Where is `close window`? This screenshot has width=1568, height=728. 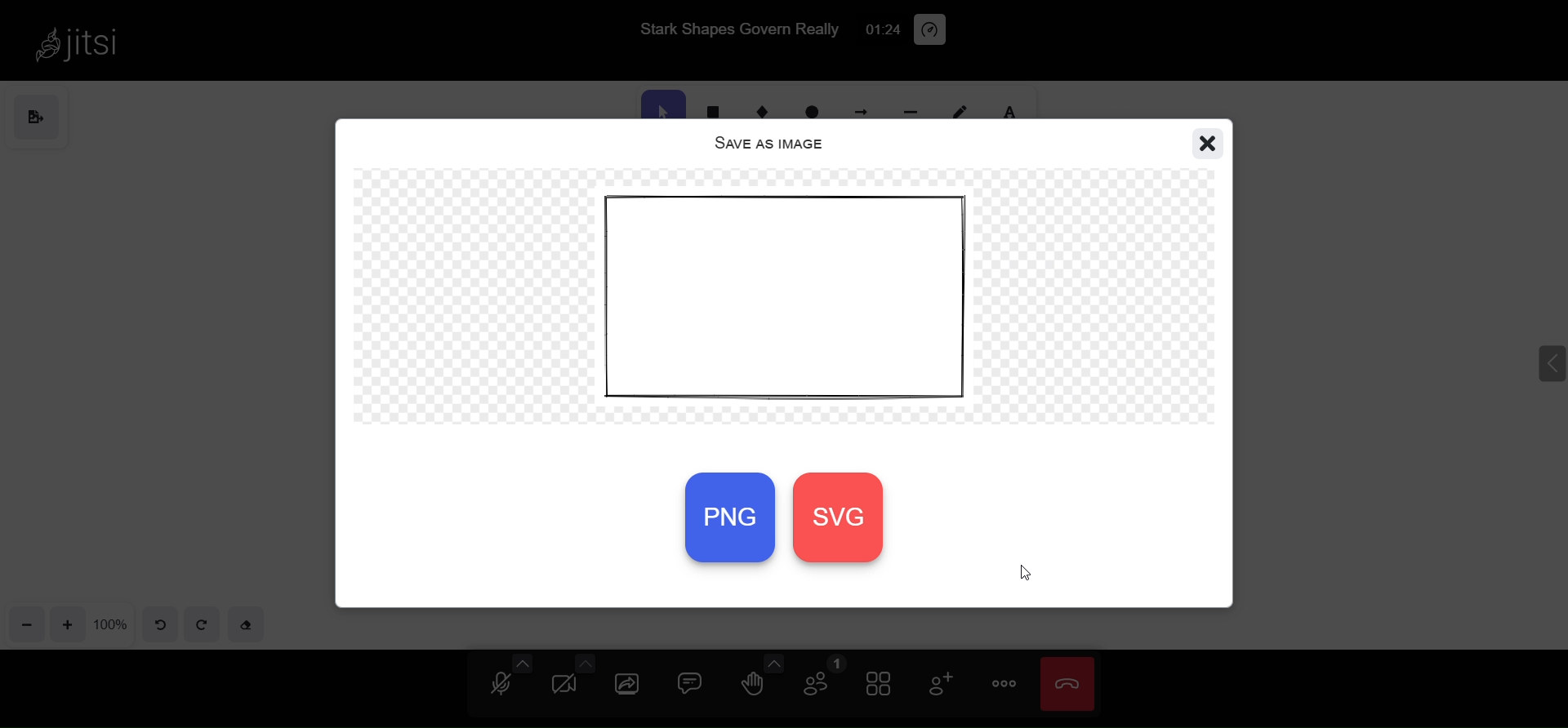 close window is located at coordinates (1206, 143).